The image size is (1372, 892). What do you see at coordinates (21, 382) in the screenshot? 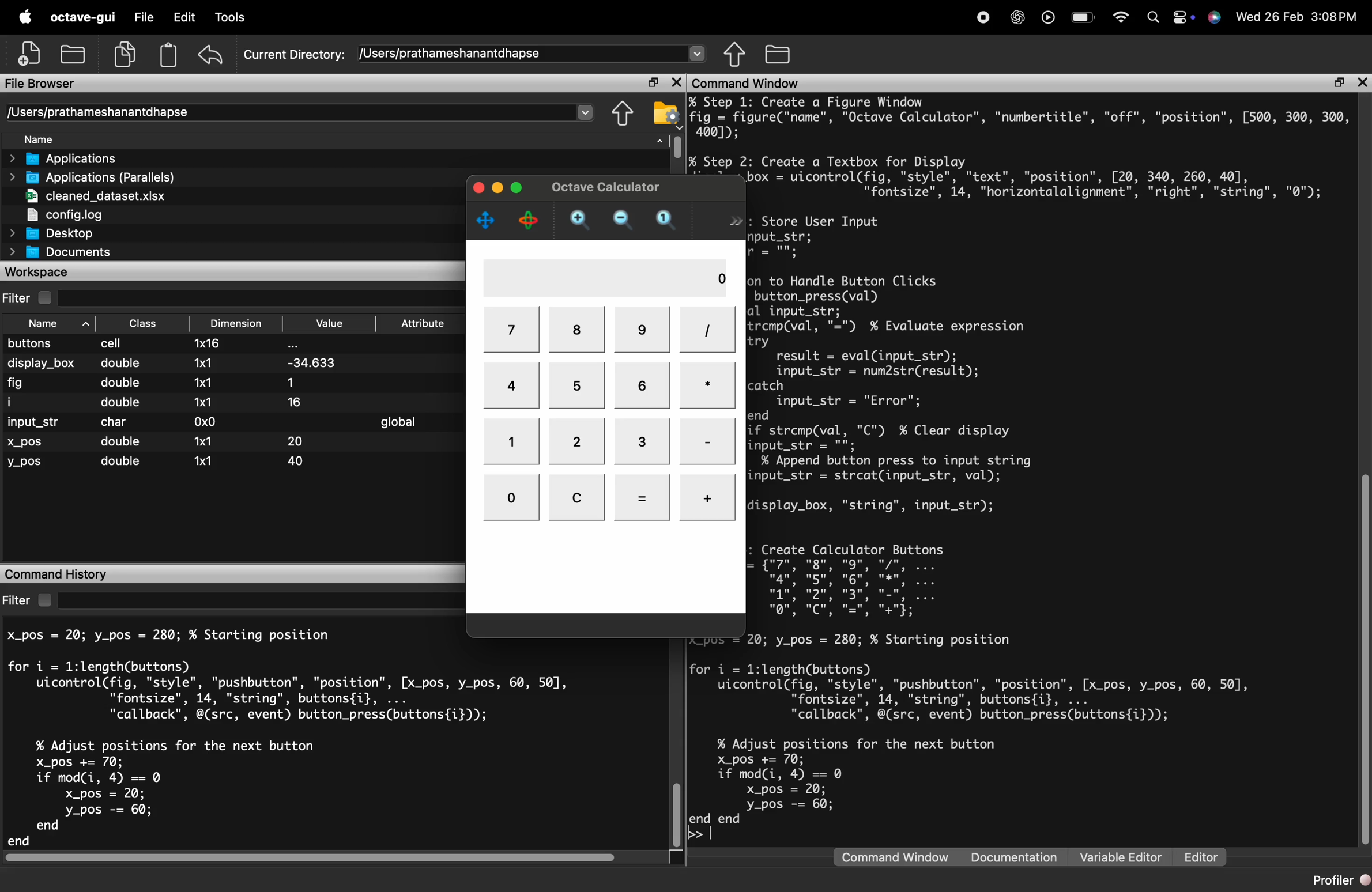
I see `fig` at bounding box center [21, 382].